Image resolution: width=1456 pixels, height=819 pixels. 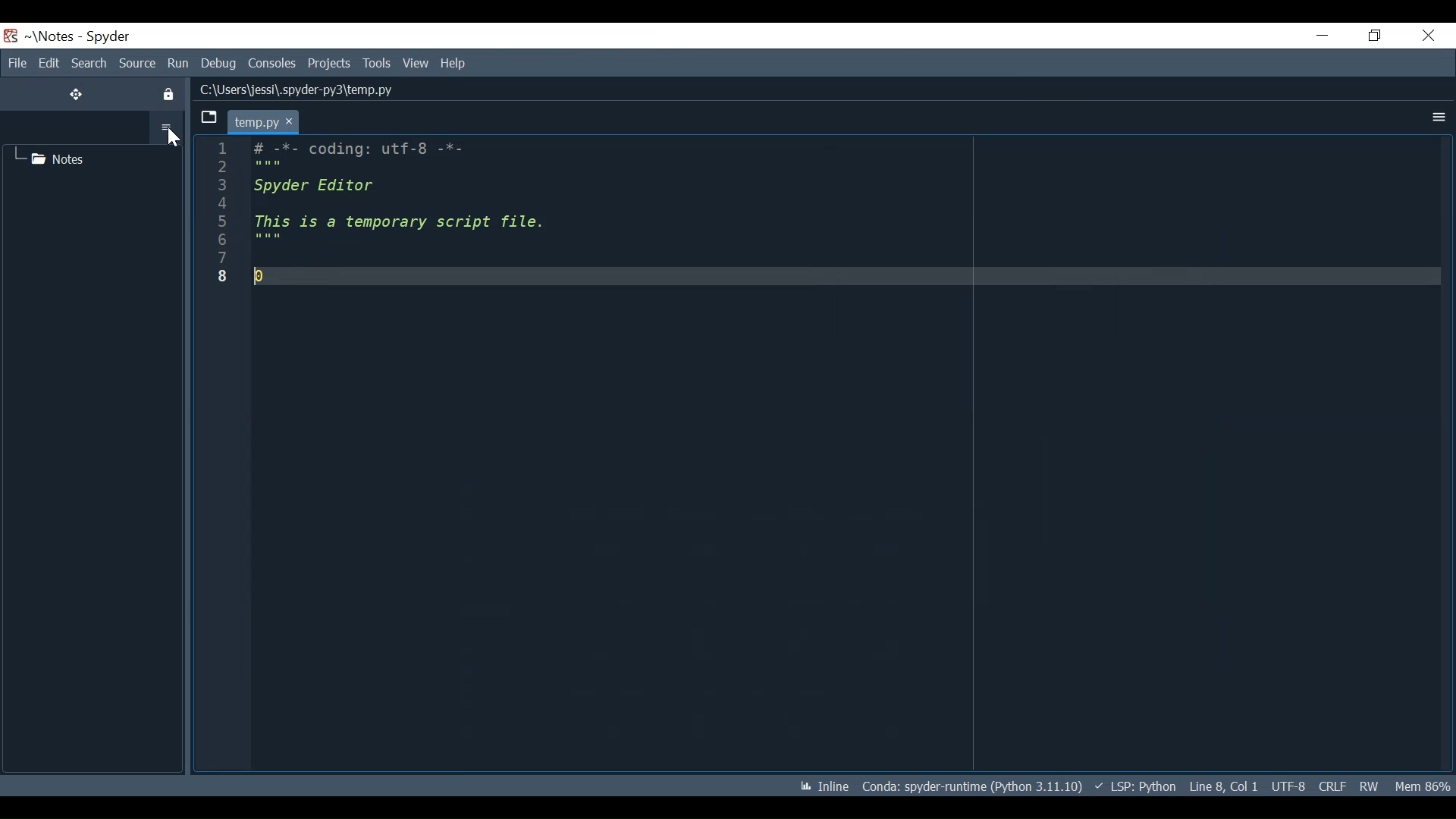 I want to click on Cursor, so click(x=171, y=140).